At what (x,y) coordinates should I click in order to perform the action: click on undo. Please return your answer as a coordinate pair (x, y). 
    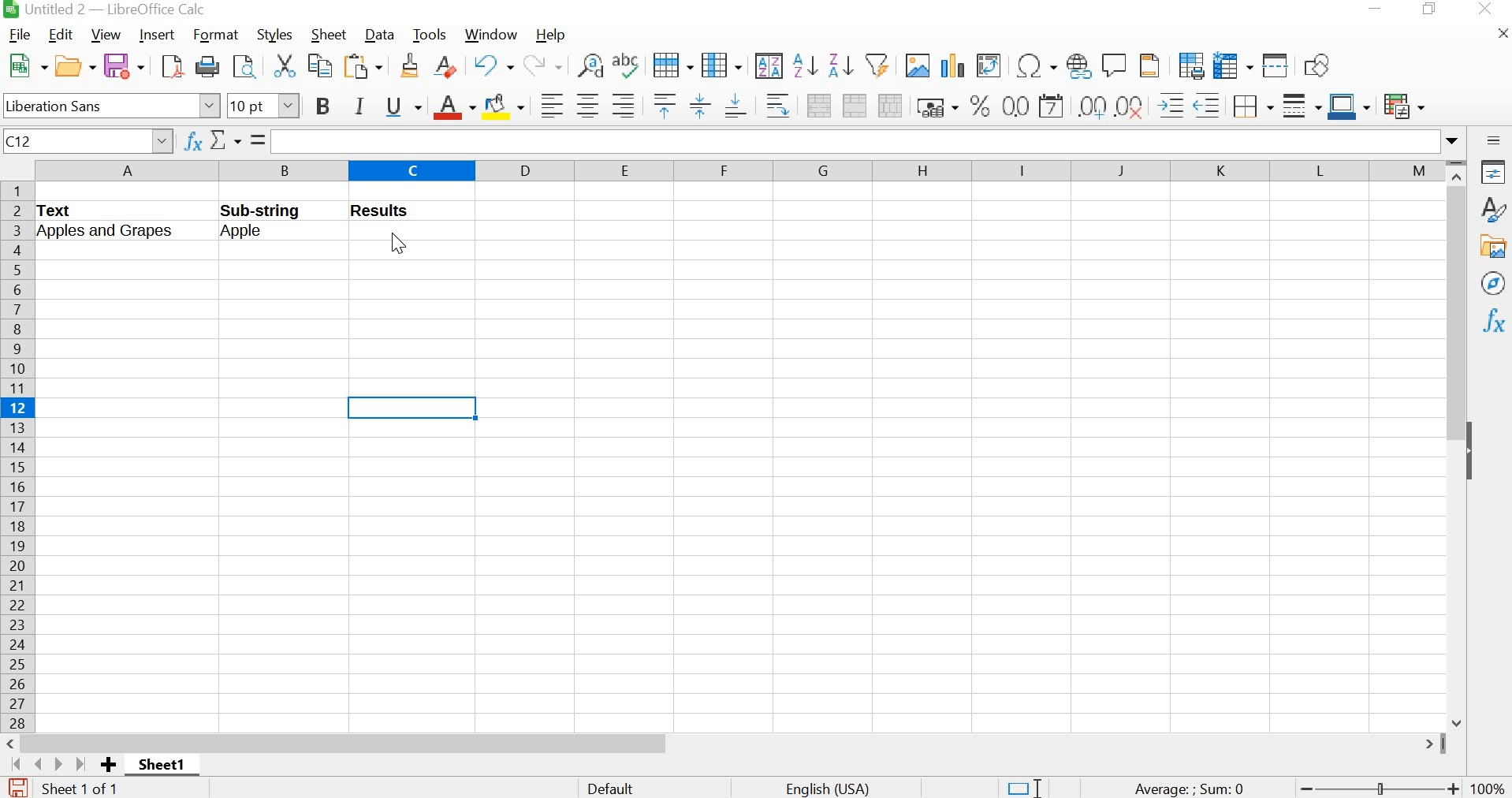
    Looking at the image, I should click on (492, 65).